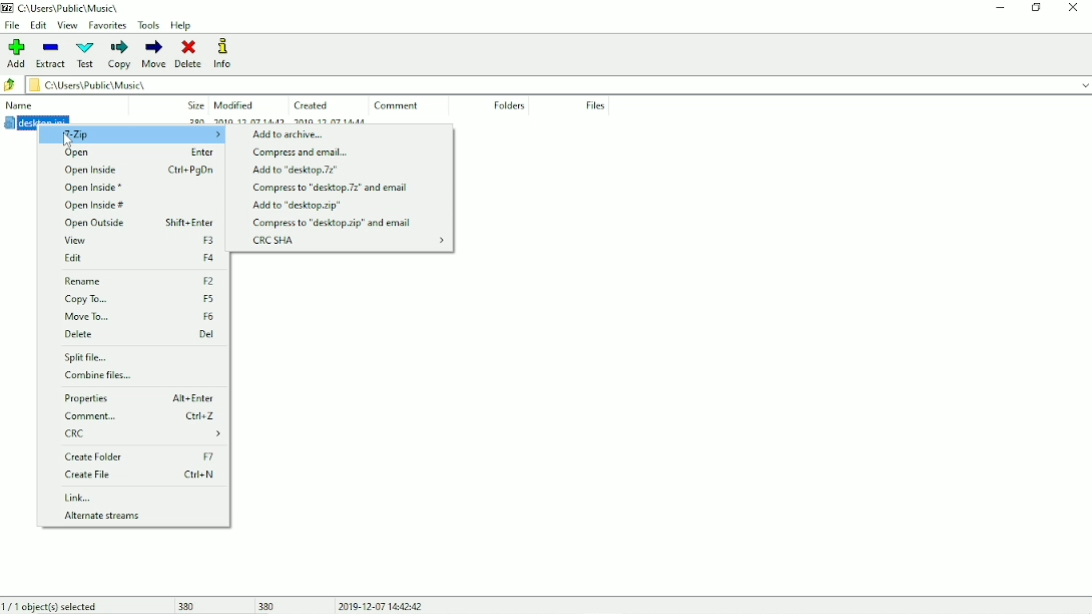 This screenshot has width=1092, height=614. What do you see at coordinates (71, 141) in the screenshot?
I see `cursor` at bounding box center [71, 141].